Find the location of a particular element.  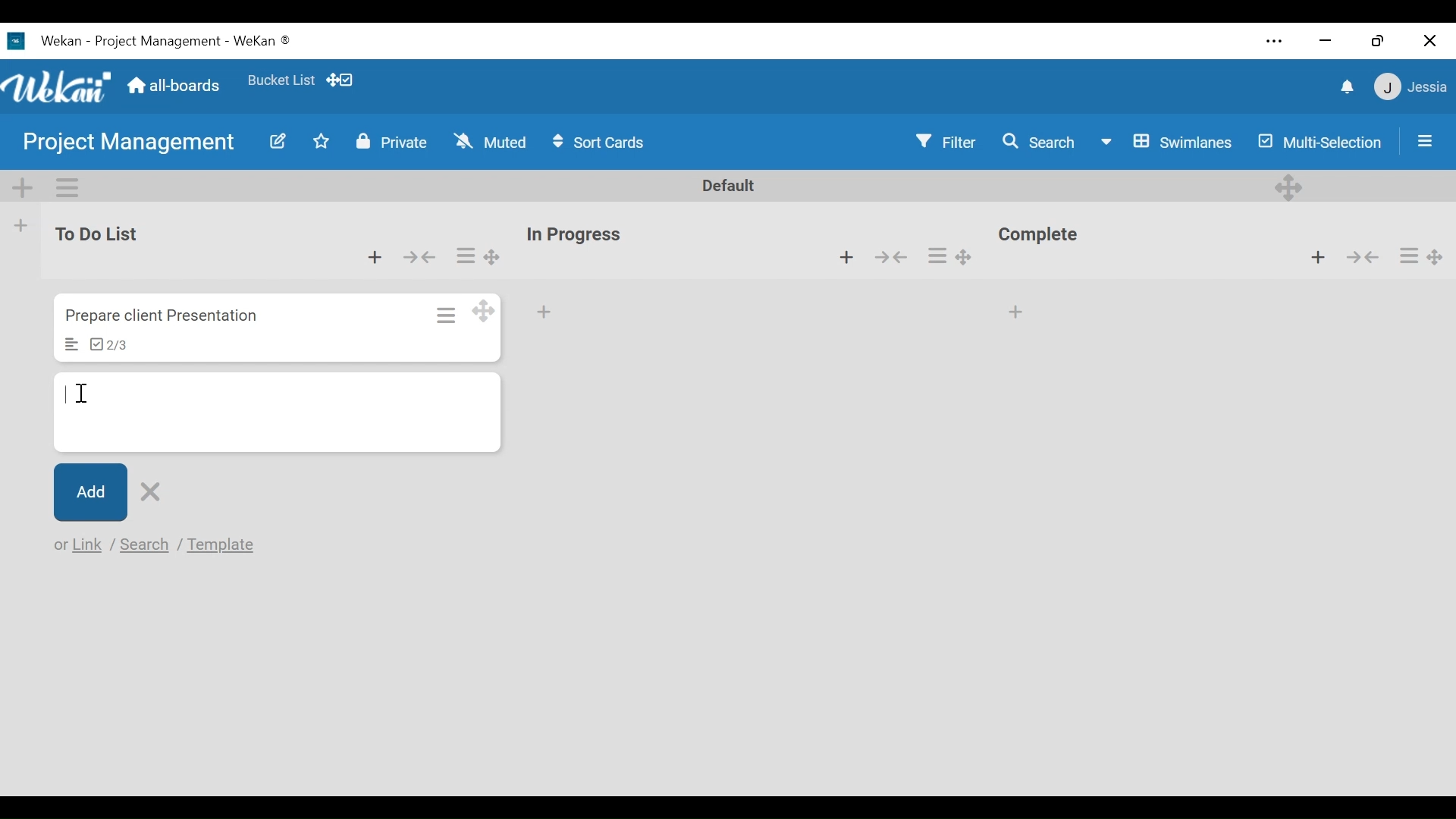

Toggle favorites is located at coordinates (322, 144).